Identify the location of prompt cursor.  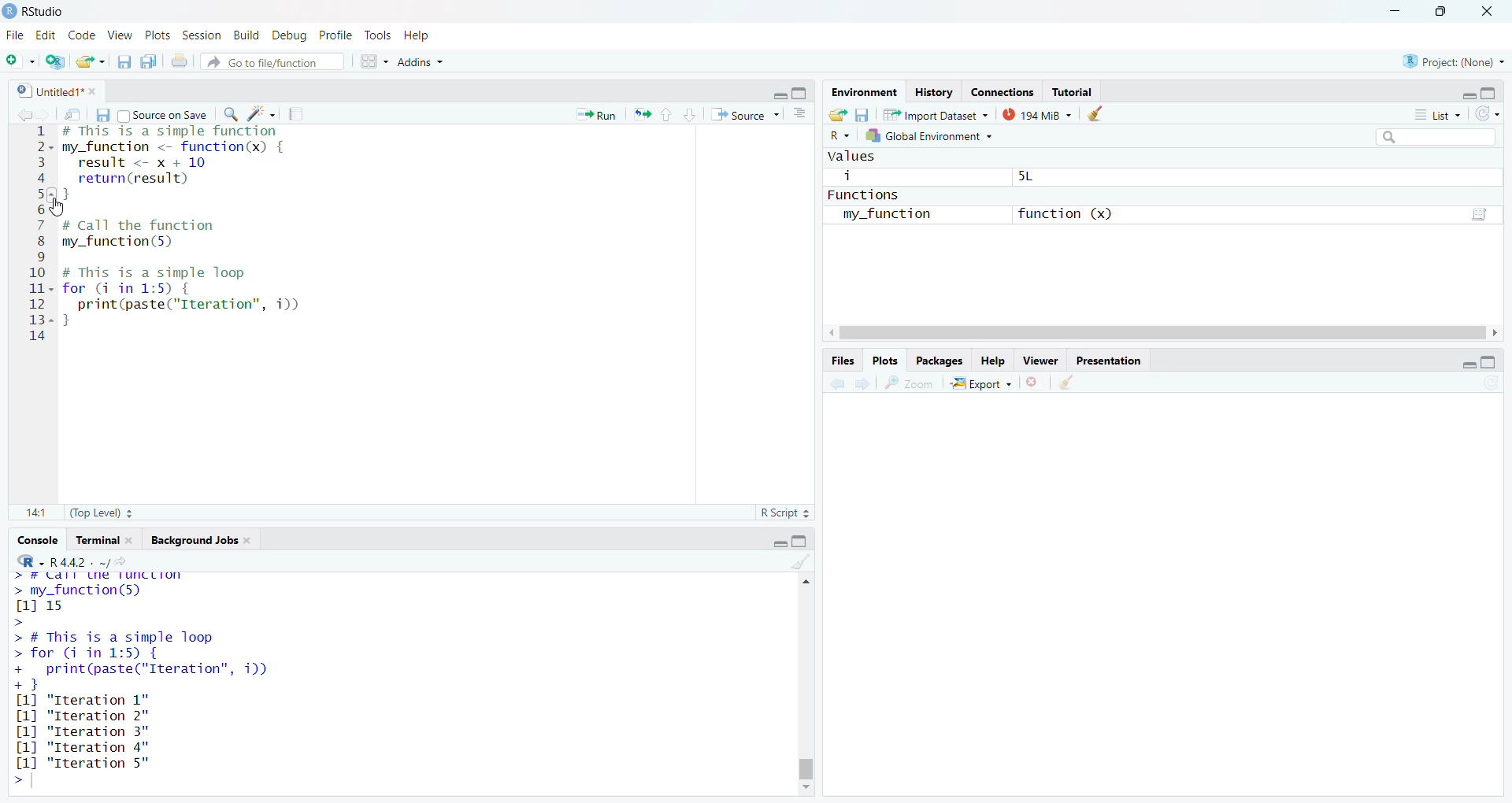
(16, 781).